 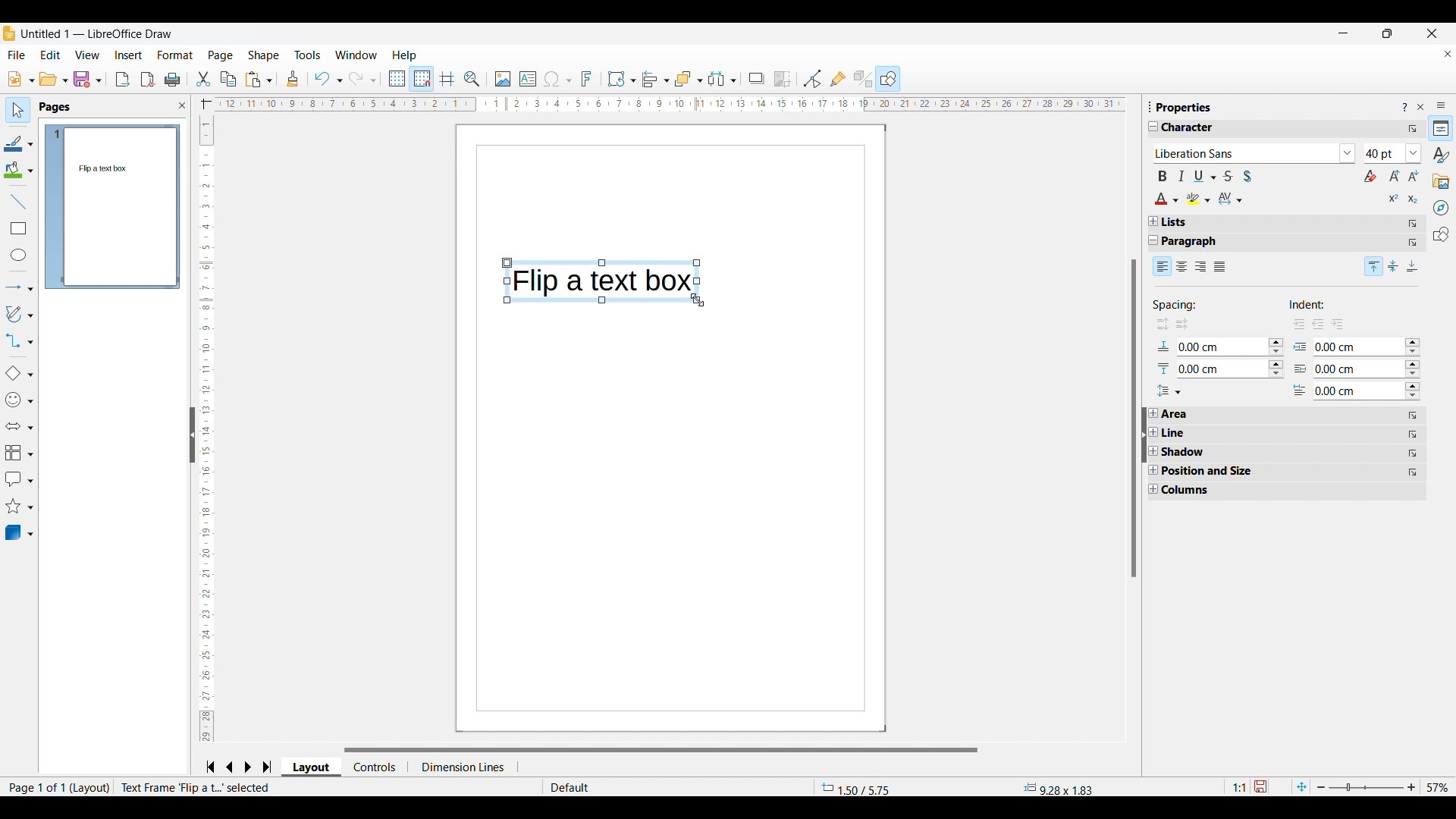 What do you see at coordinates (173, 80) in the screenshot?
I see `Print` at bounding box center [173, 80].